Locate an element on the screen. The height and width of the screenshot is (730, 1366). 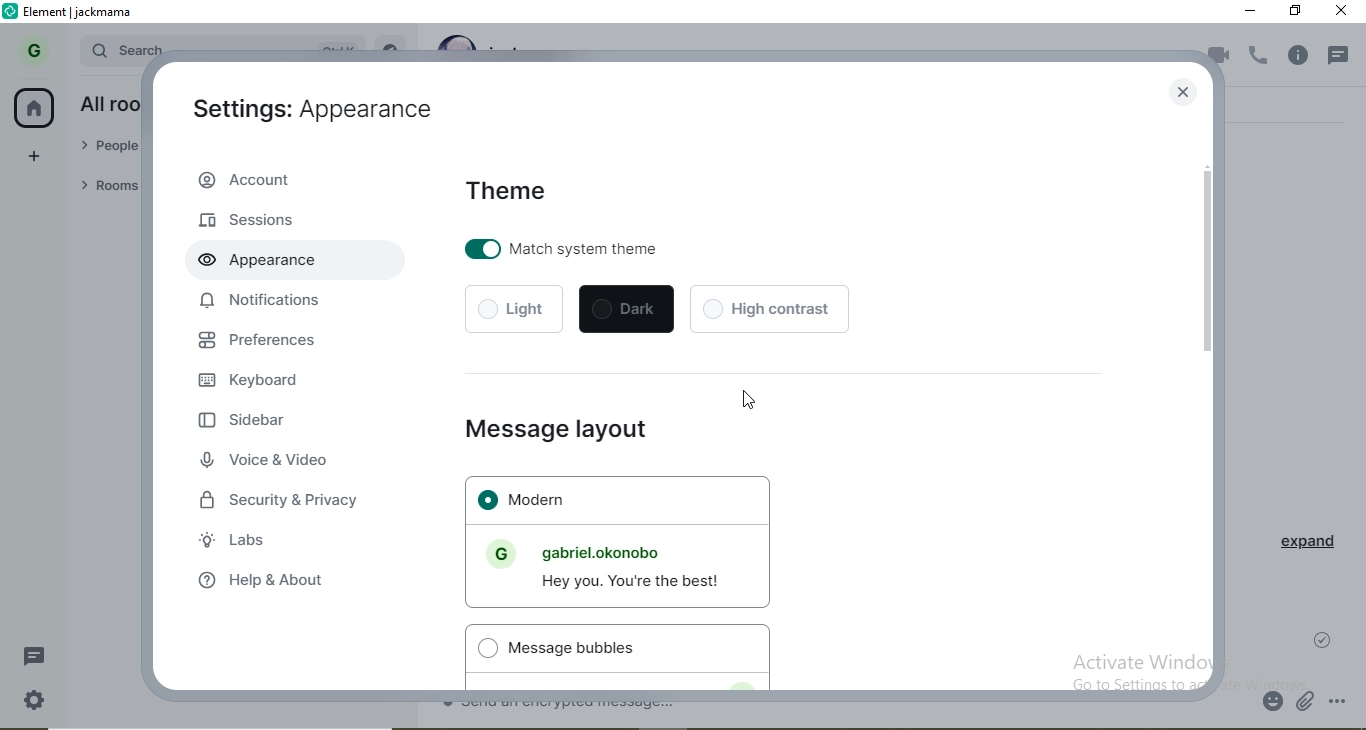
options is located at coordinates (1345, 702).